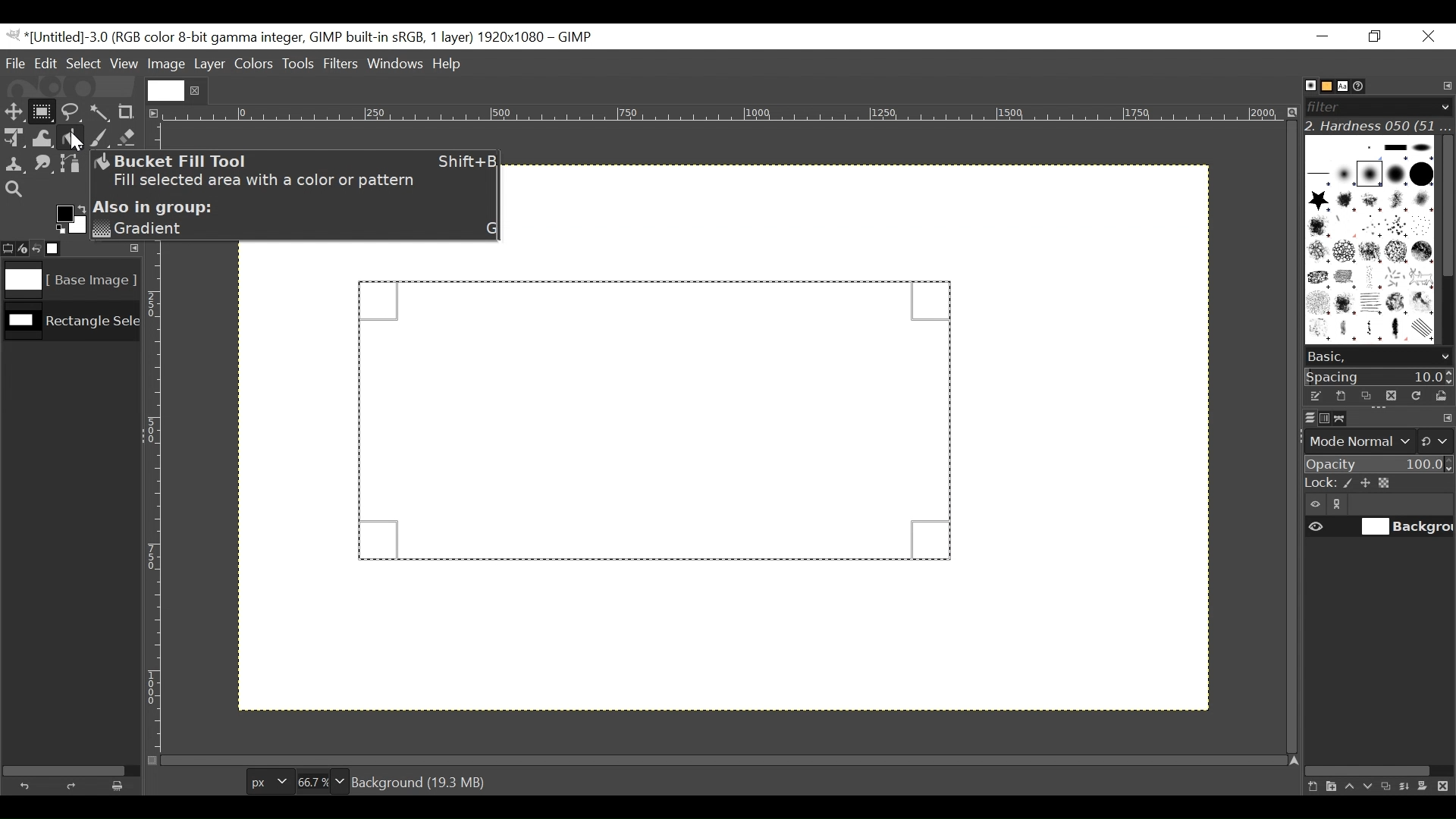 The width and height of the screenshot is (1456, 819). What do you see at coordinates (1414, 394) in the screenshot?
I see `Refresh` at bounding box center [1414, 394].